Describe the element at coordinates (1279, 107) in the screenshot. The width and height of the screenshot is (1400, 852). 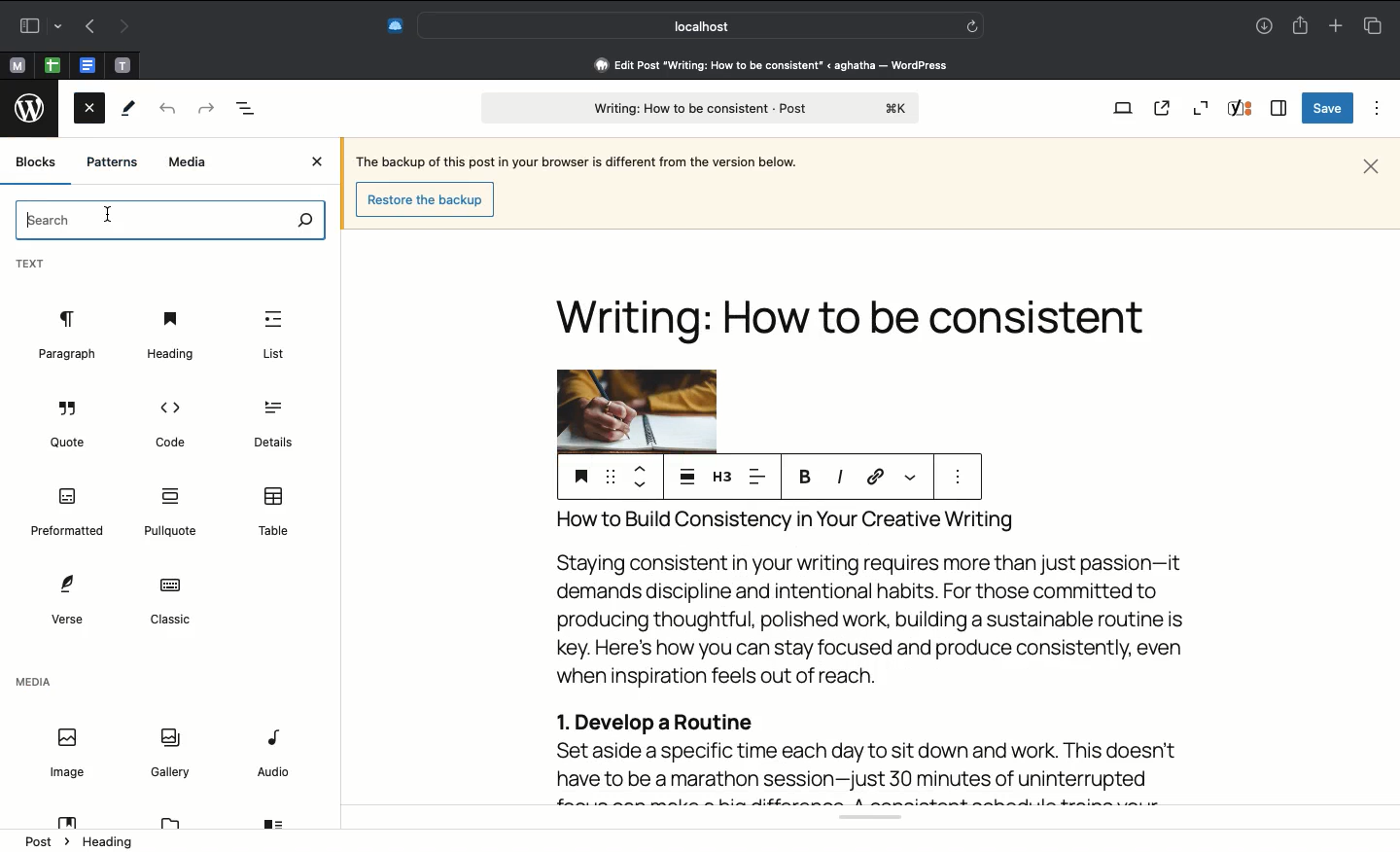
I see `Sidebar` at that location.